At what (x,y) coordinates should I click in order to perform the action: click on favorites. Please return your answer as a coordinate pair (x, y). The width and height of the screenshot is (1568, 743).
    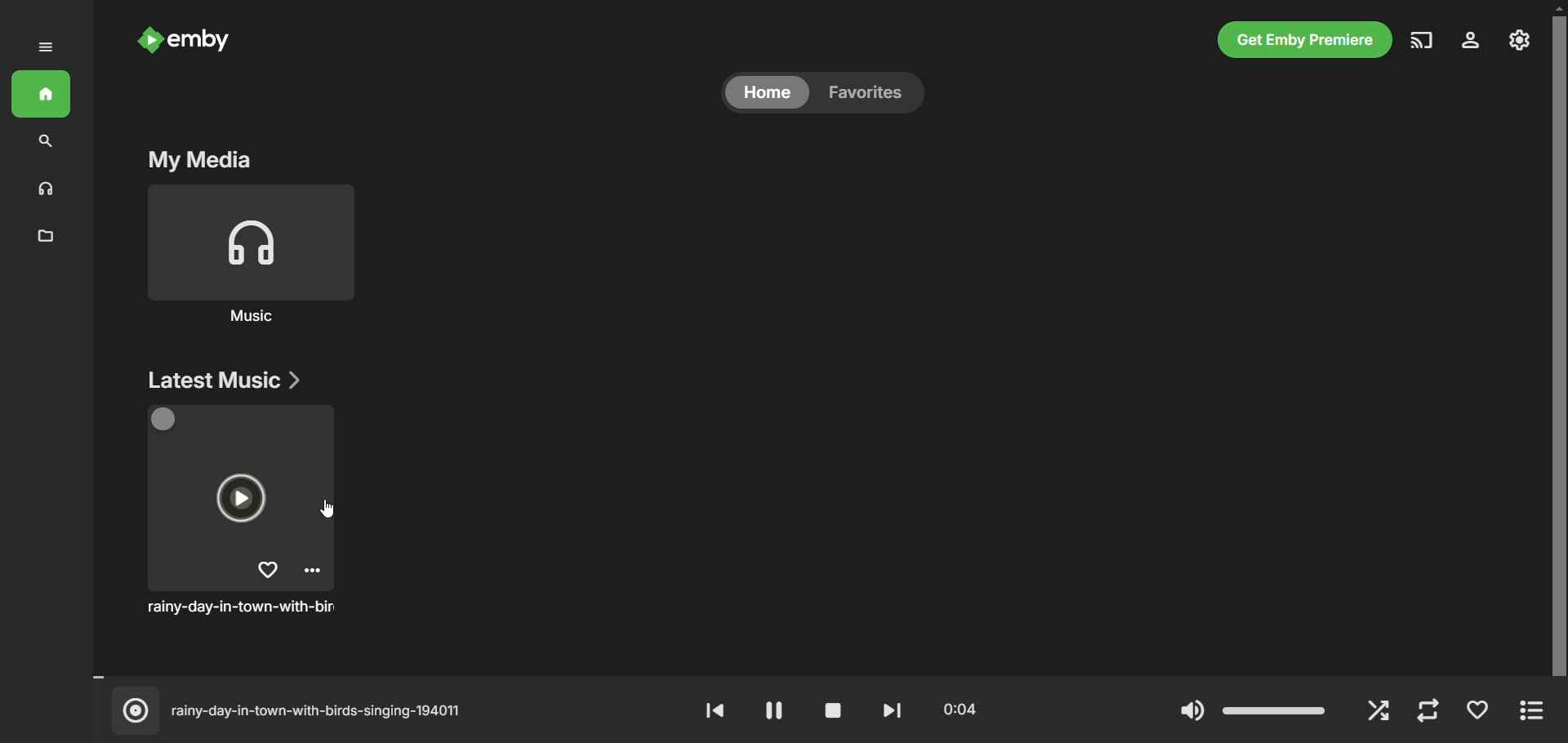
    Looking at the image, I should click on (871, 95).